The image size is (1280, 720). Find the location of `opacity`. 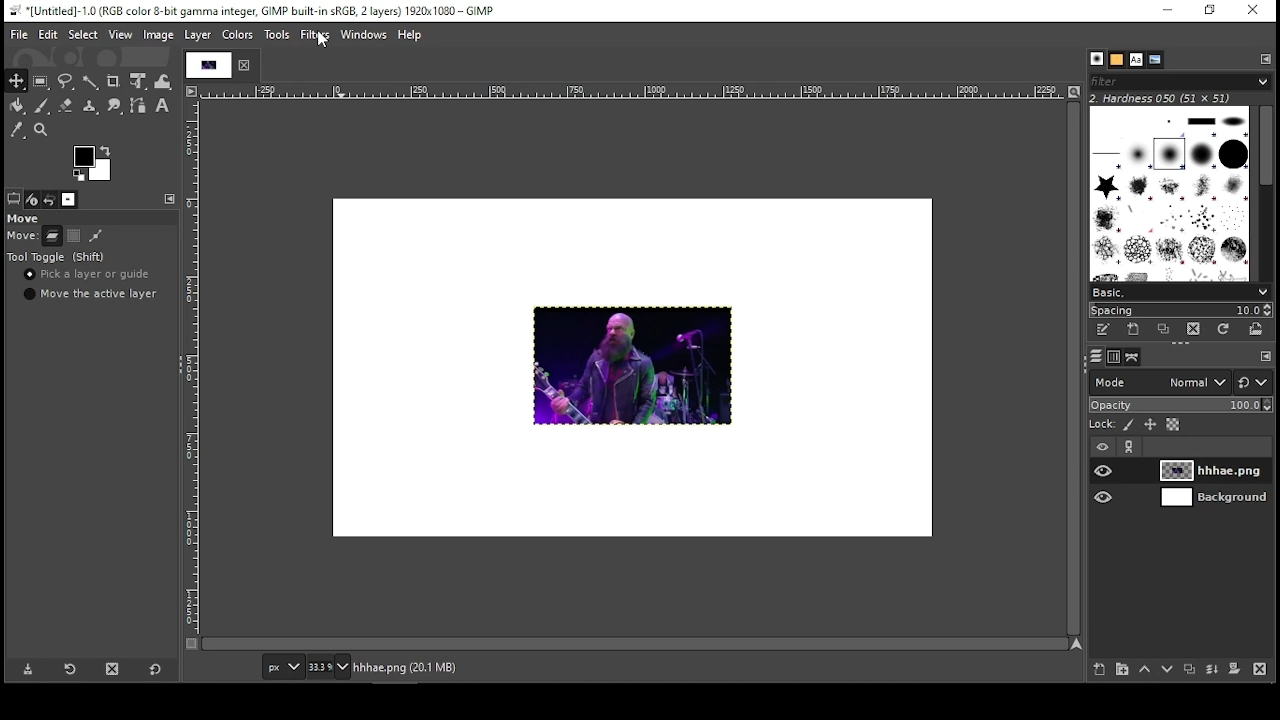

opacity is located at coordinates (1181, 405).